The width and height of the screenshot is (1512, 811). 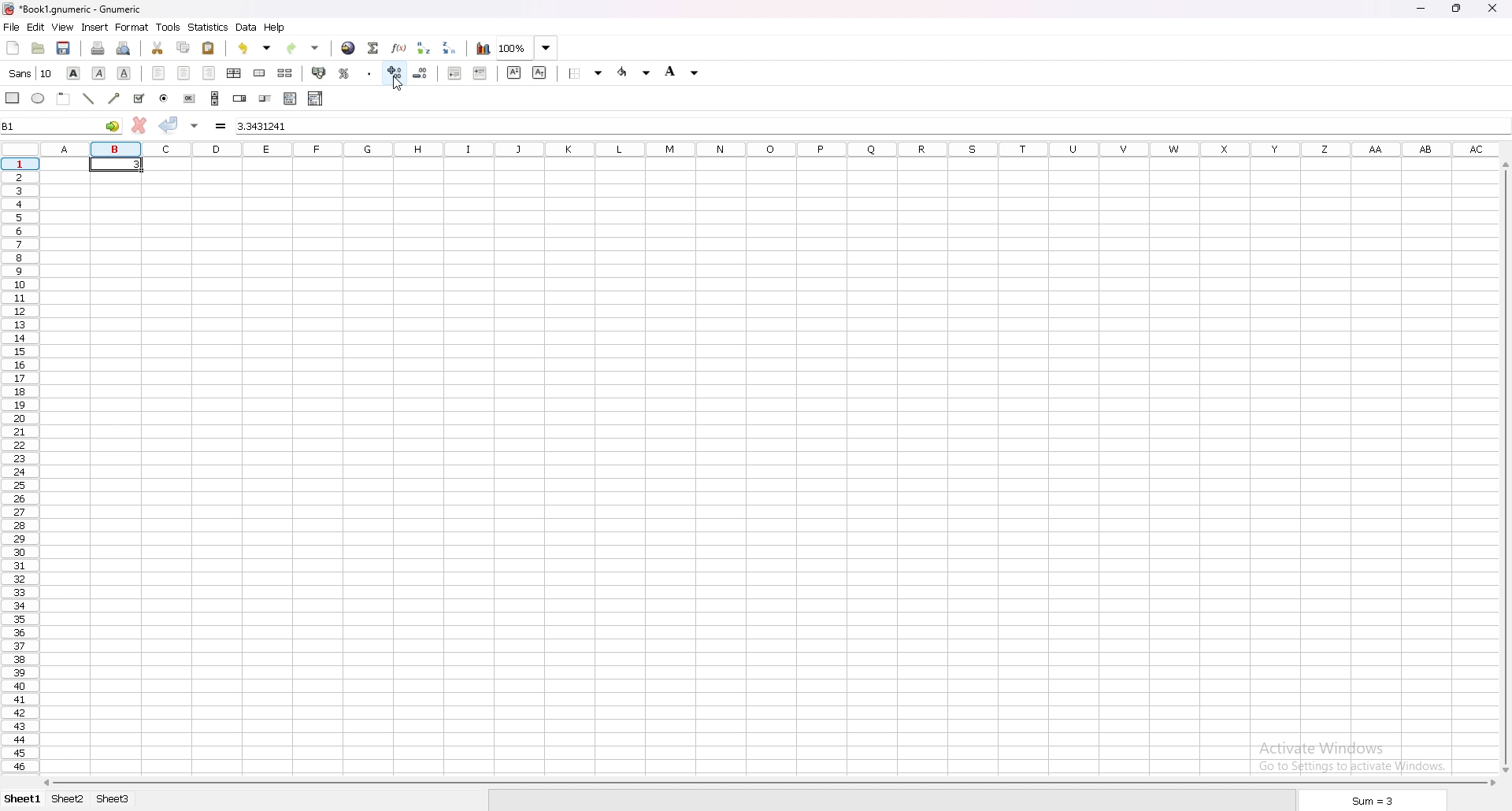 I want to click on cut, so click(x=159, y=48).